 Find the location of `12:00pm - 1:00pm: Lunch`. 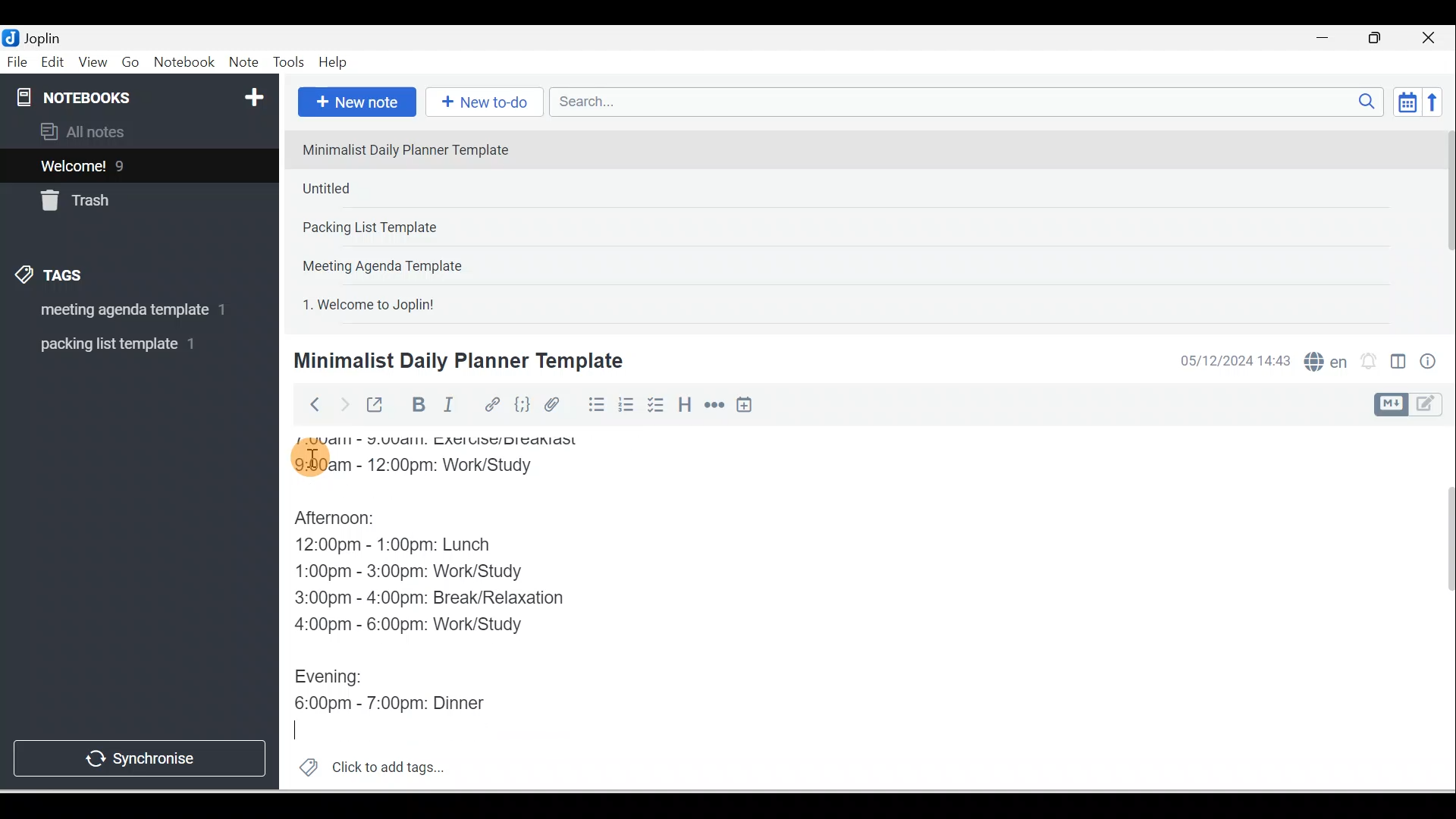

12:00pm - 1:00pm: Lunch is located at coordinates (413, 547).